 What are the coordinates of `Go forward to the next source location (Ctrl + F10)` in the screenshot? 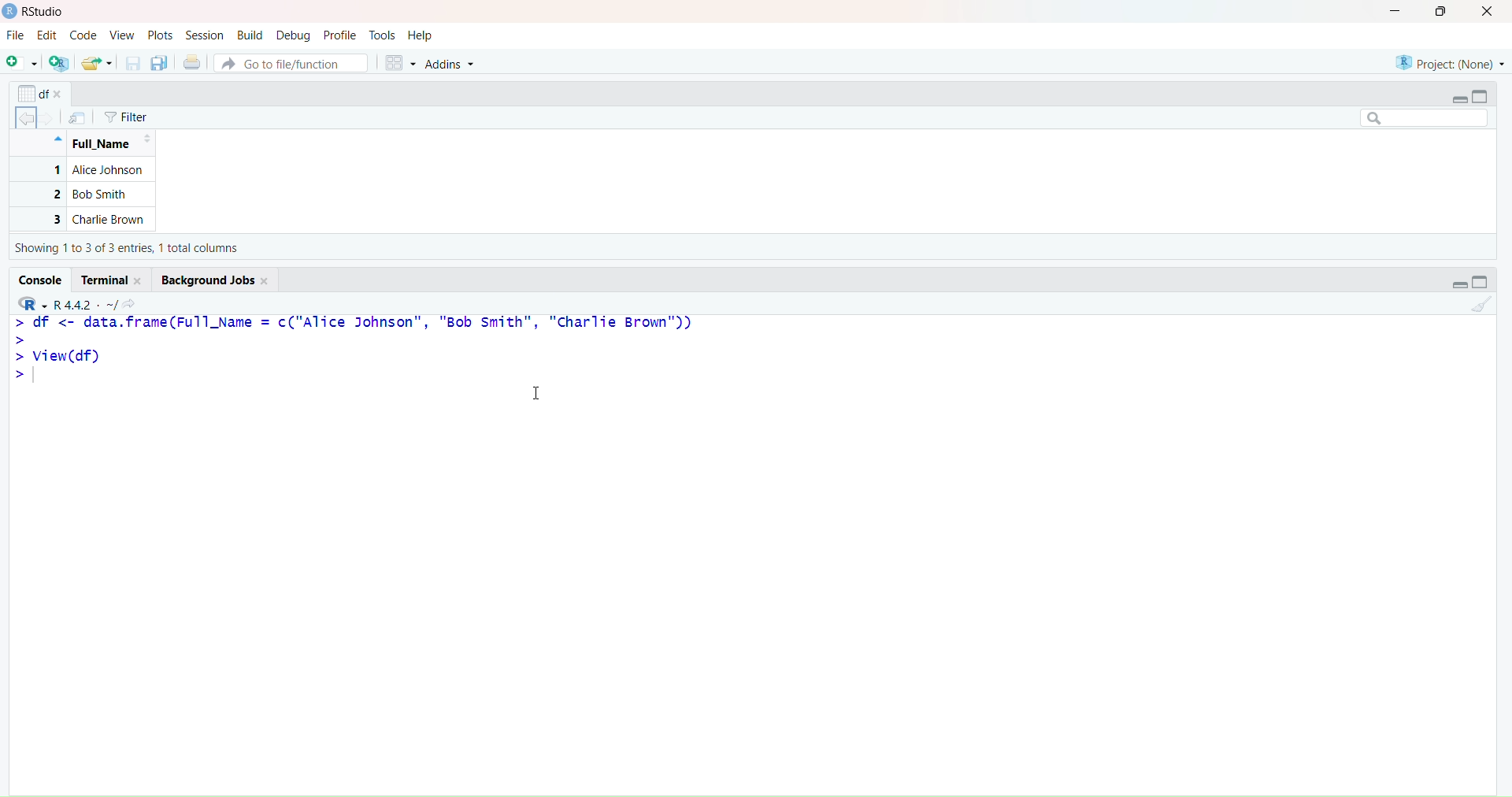 It's located at (50, 114).